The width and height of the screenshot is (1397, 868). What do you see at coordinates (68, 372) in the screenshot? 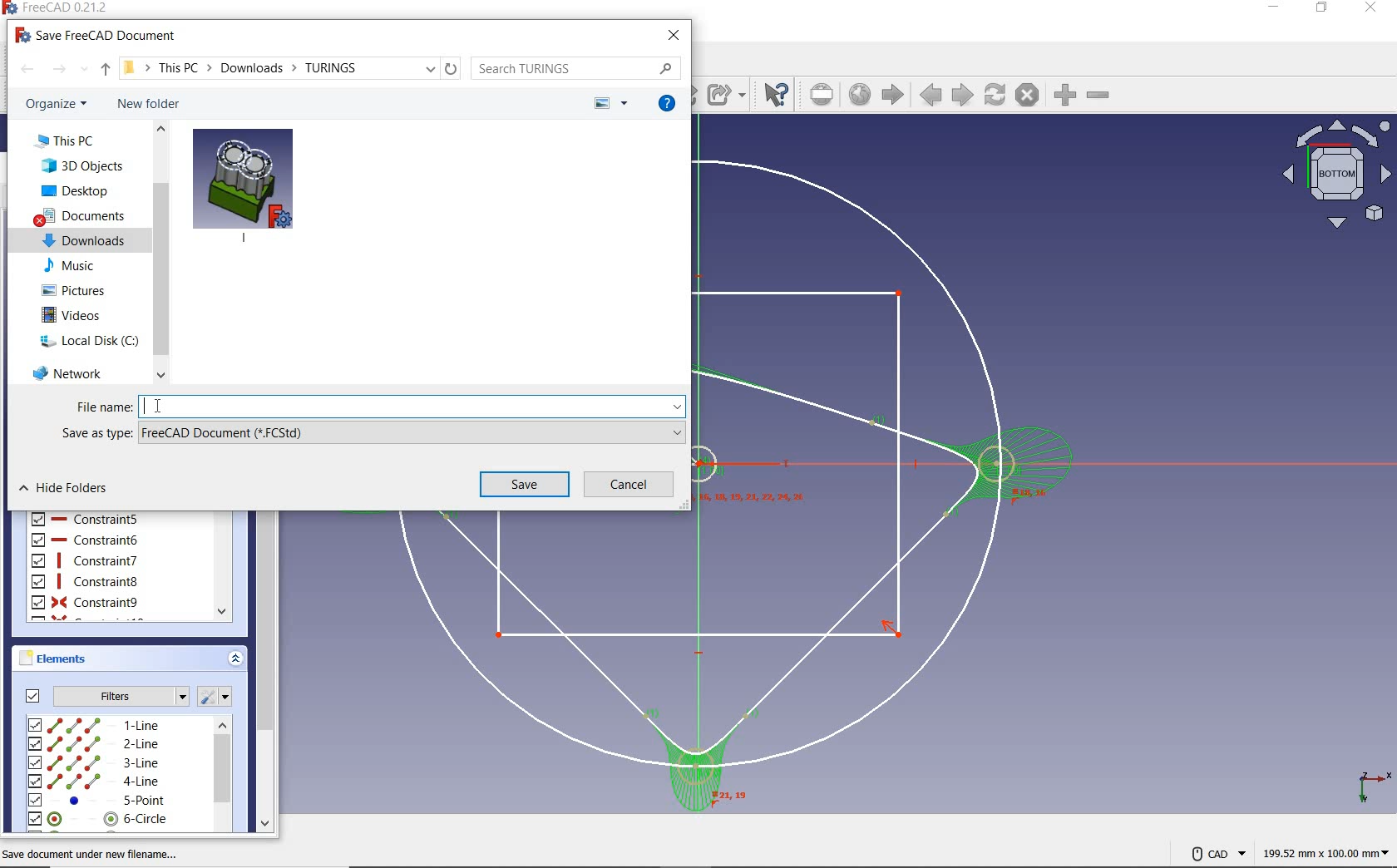
I see `Network` at bounding box center [68, 372].